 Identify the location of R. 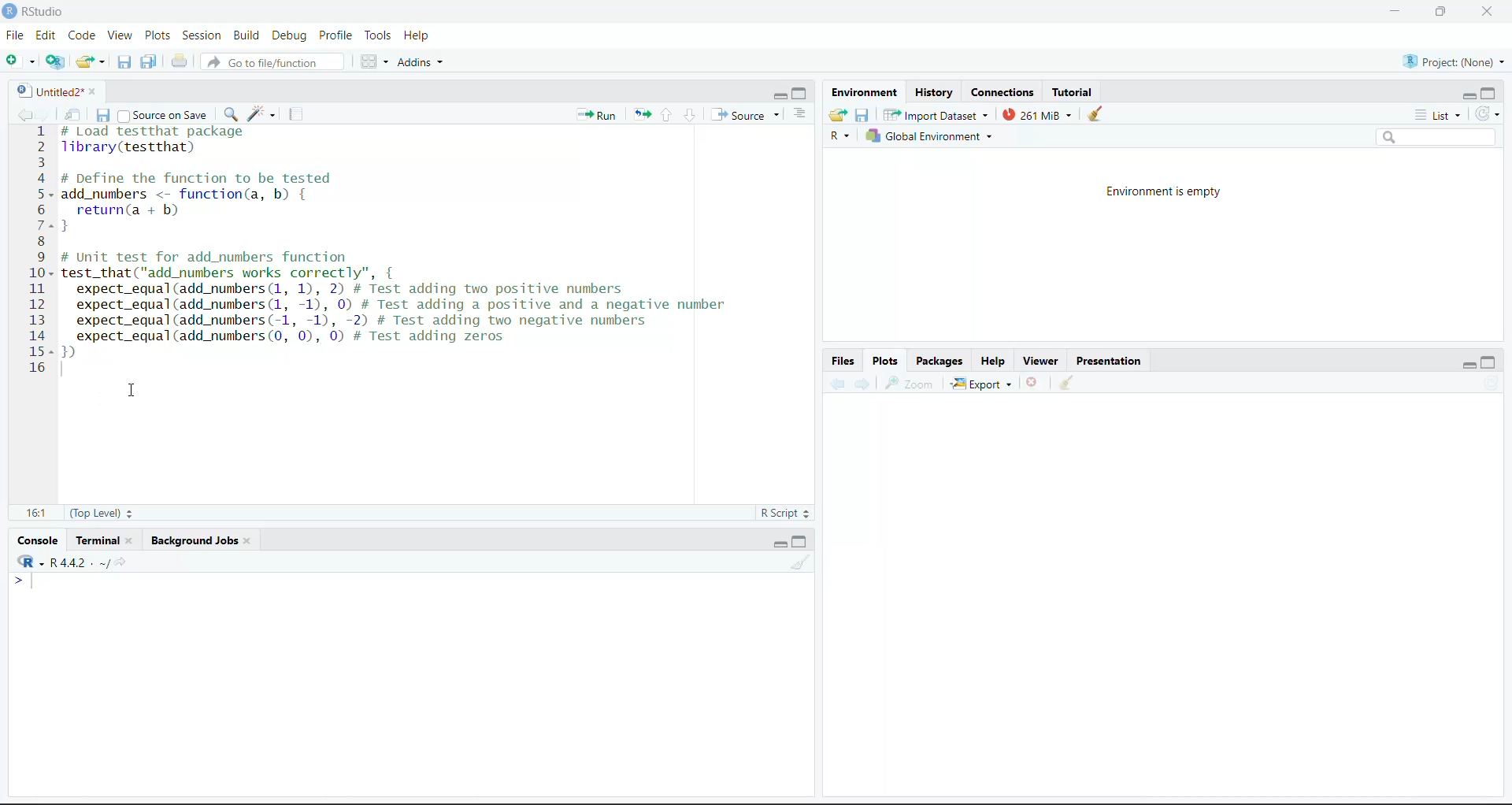
(837, 135).